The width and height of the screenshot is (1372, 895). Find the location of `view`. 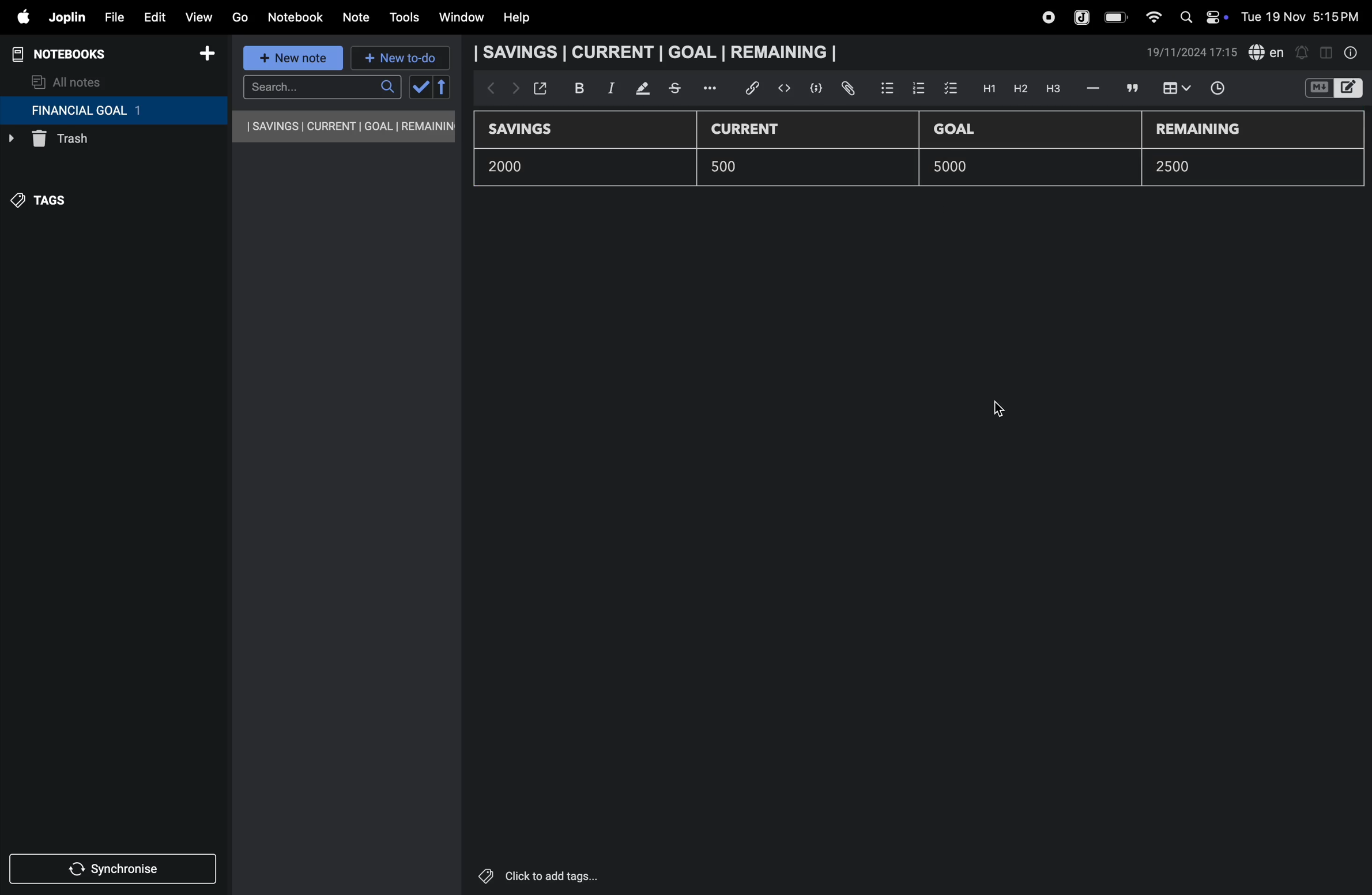

view is located at coordinates (198, 14).